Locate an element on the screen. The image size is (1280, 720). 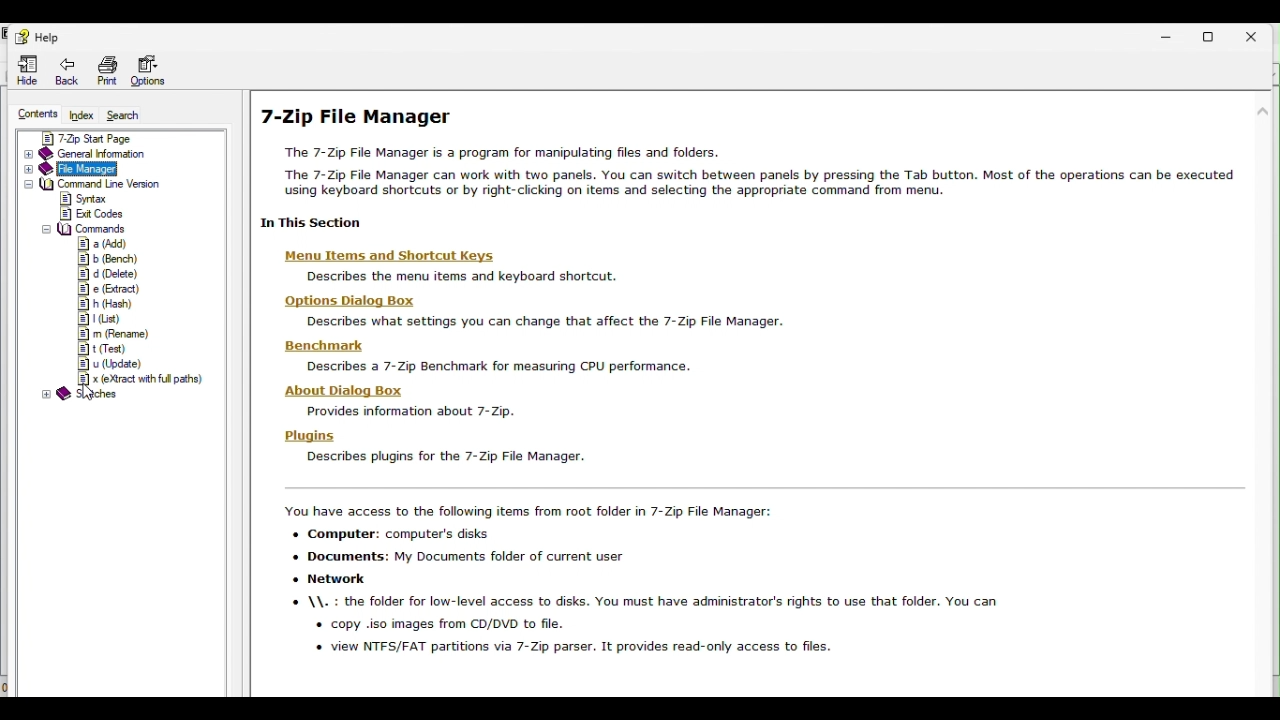
Contents is located at coordinates (30, 115).